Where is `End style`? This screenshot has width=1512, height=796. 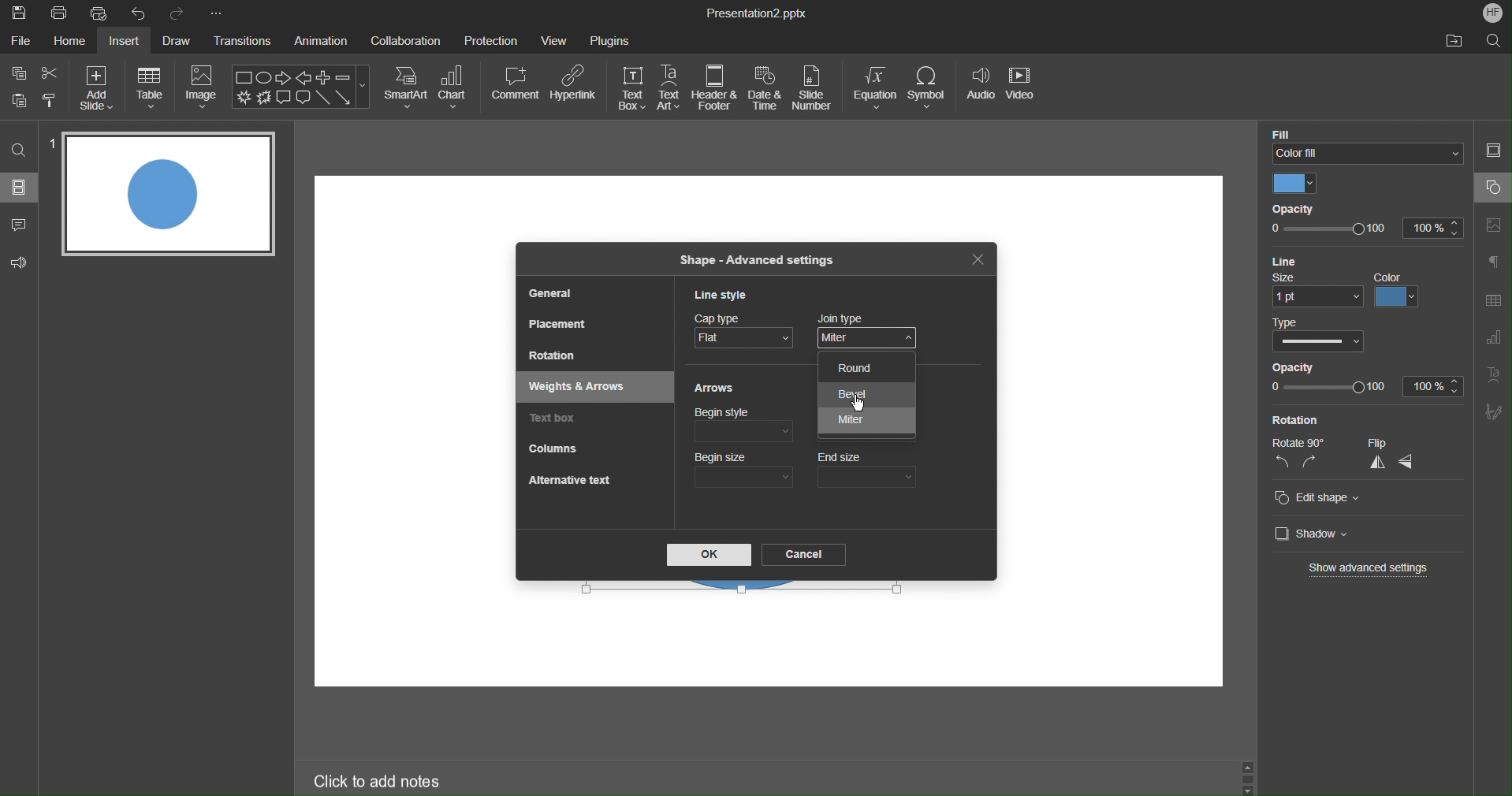 End style is located at coordinates (869, 425).